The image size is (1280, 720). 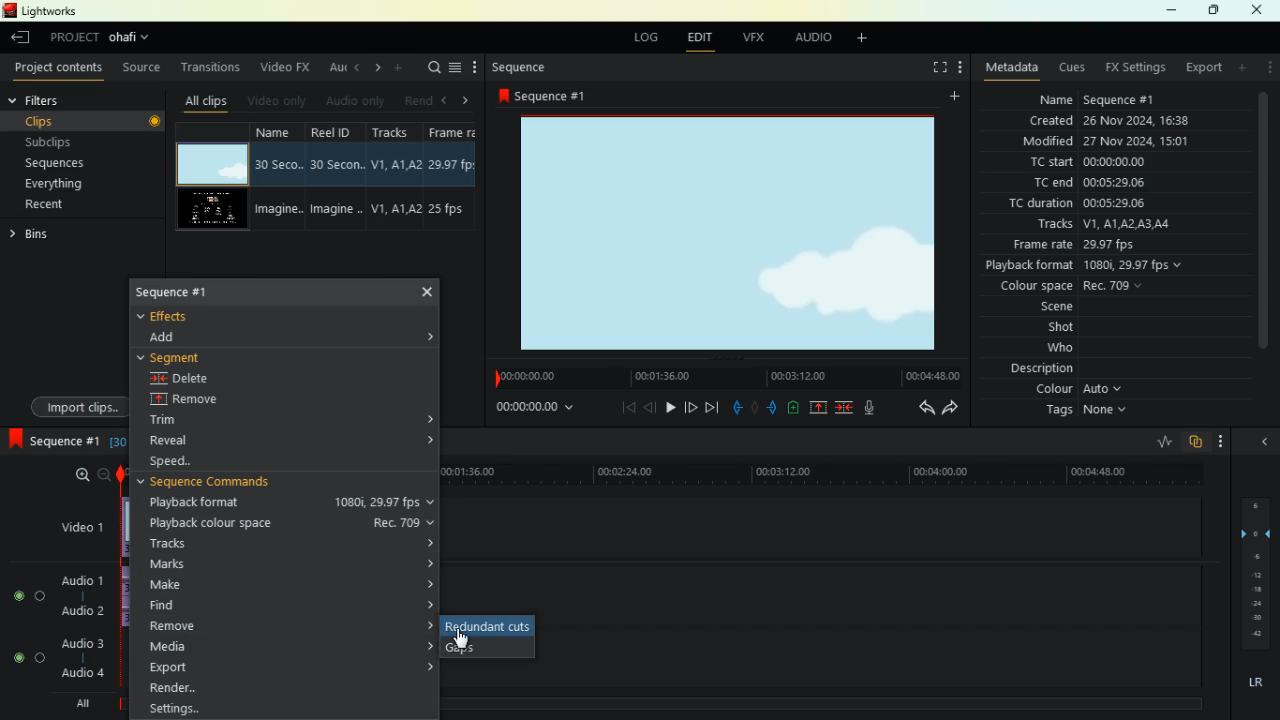 I want to click on add, so click(x=952, y=99).